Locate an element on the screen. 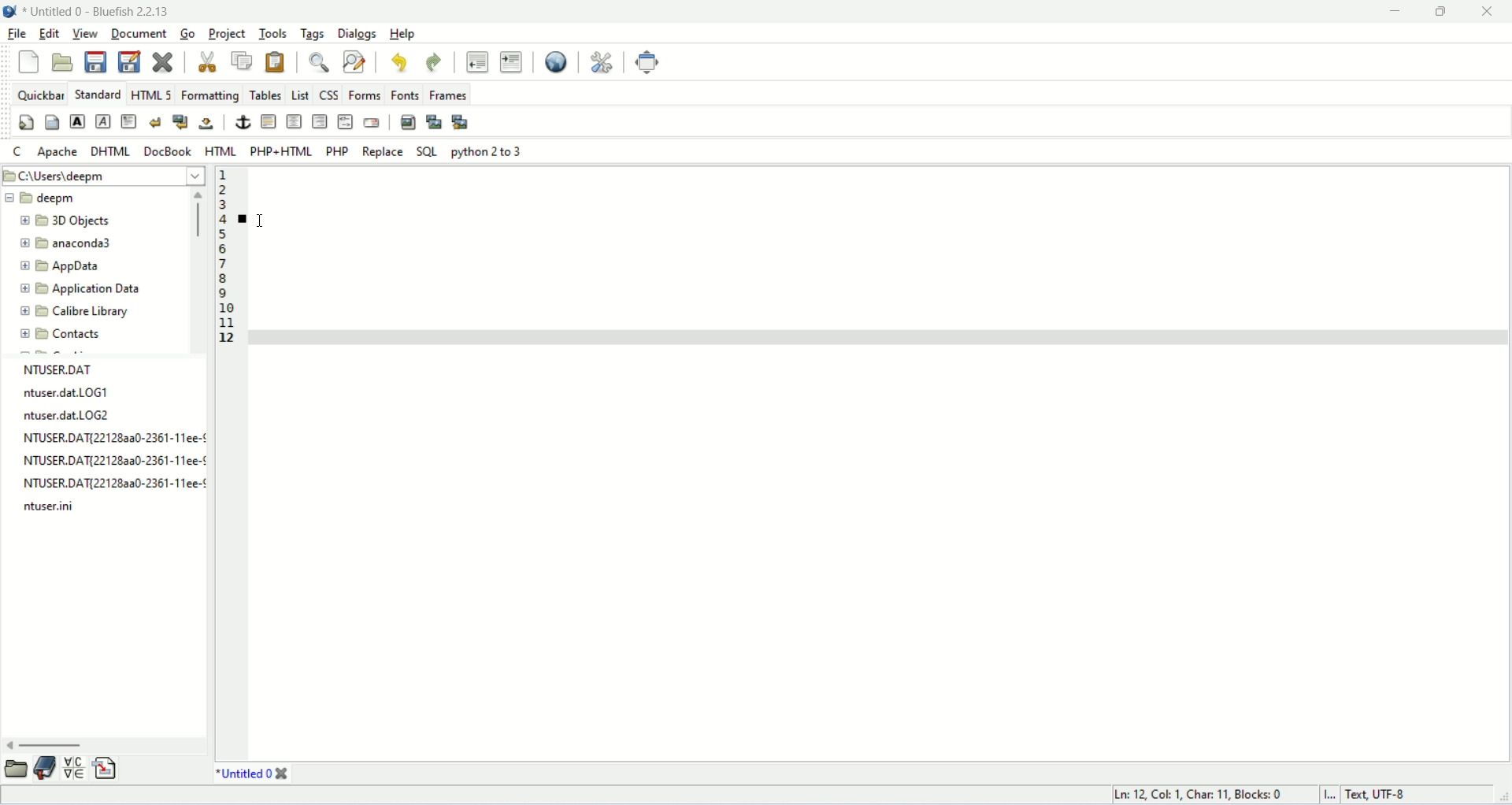 This screenshot has height=805, width=1512. title is located at coordinates (253, 773).